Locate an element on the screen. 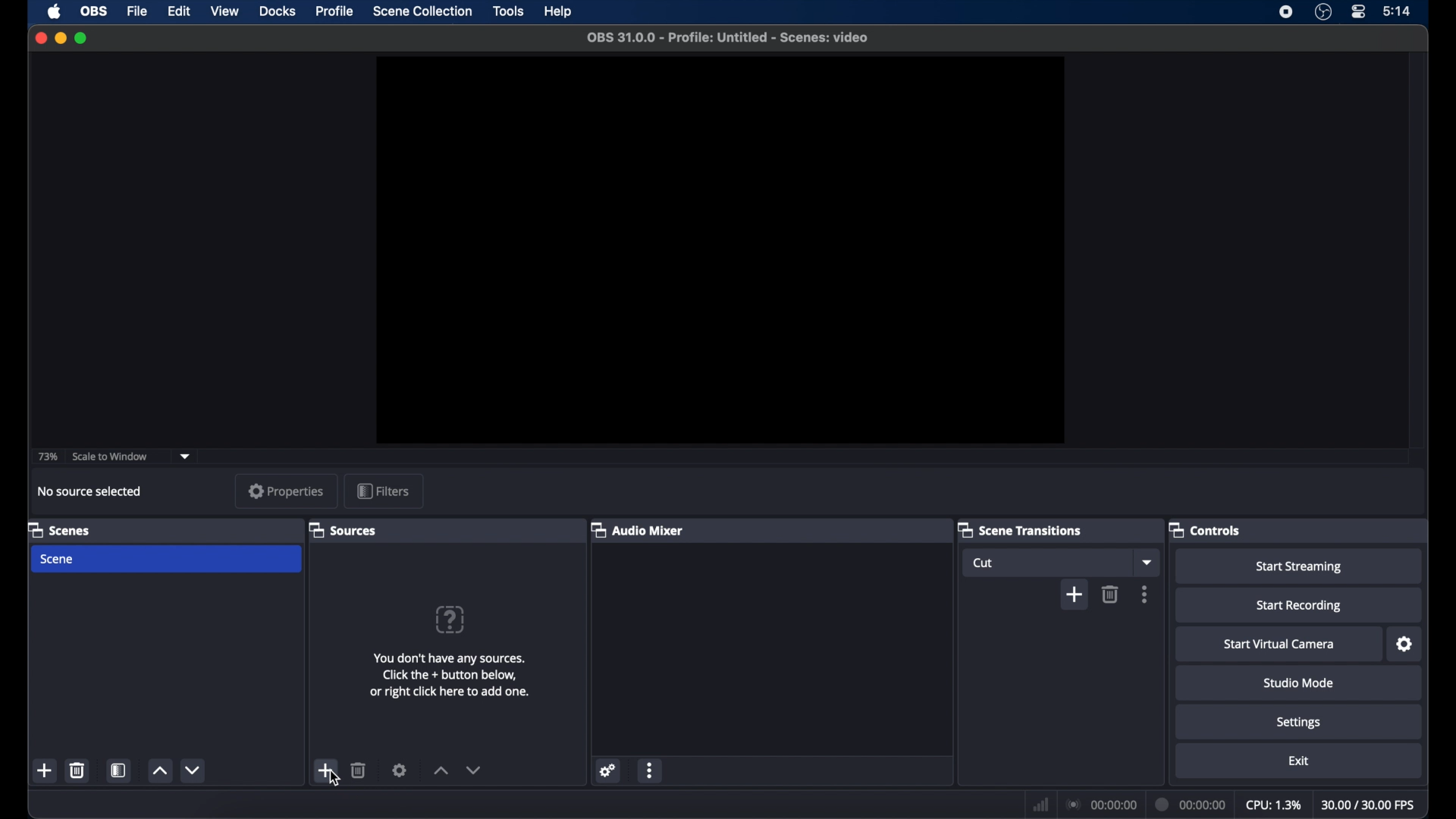 The height and width of the screenshot is (819, 1456). tools is located at coordinates (508, 10).